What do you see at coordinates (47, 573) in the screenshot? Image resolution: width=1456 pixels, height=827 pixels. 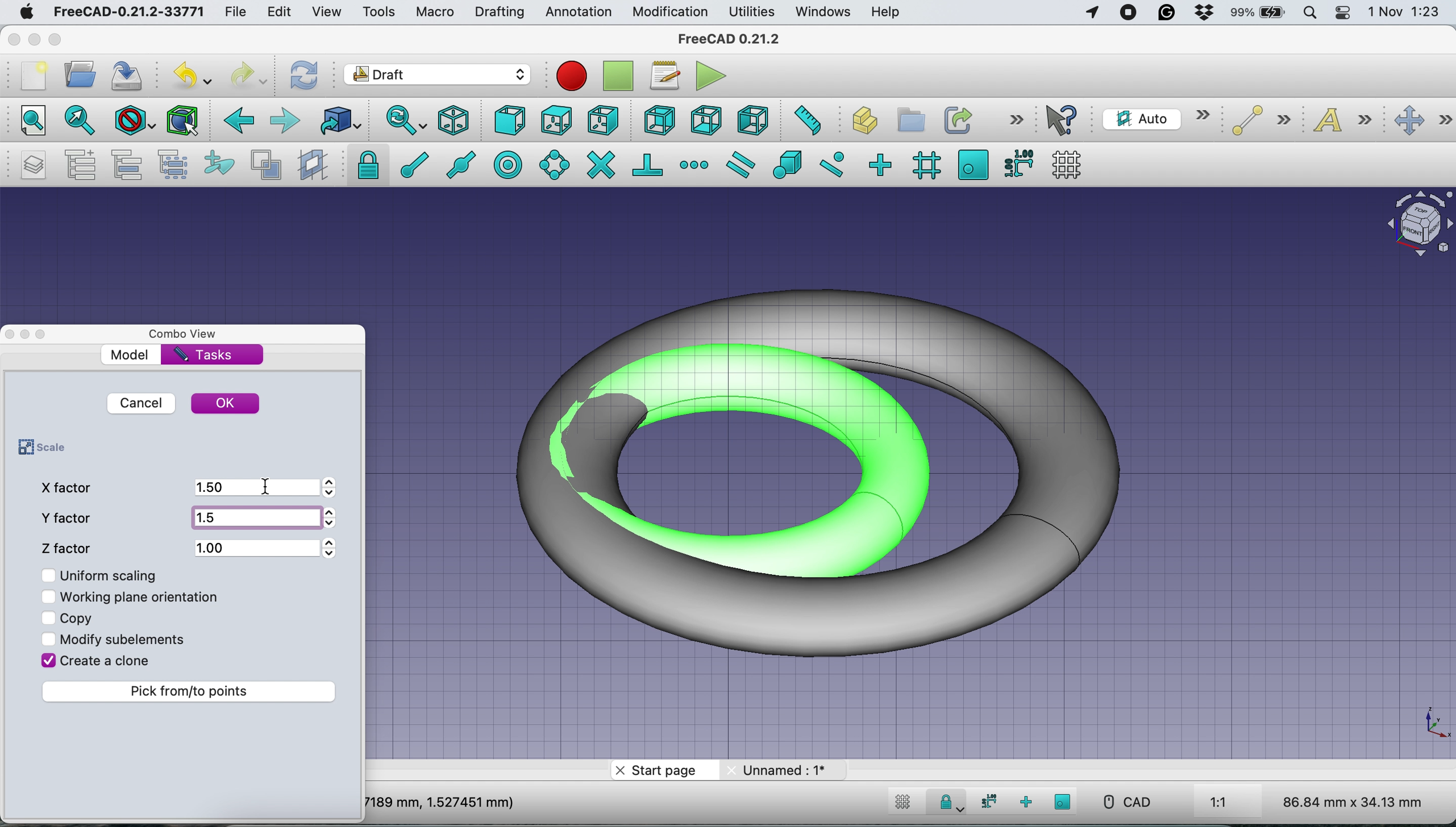 I see `Checkbox` at bounding box center [47, 573].